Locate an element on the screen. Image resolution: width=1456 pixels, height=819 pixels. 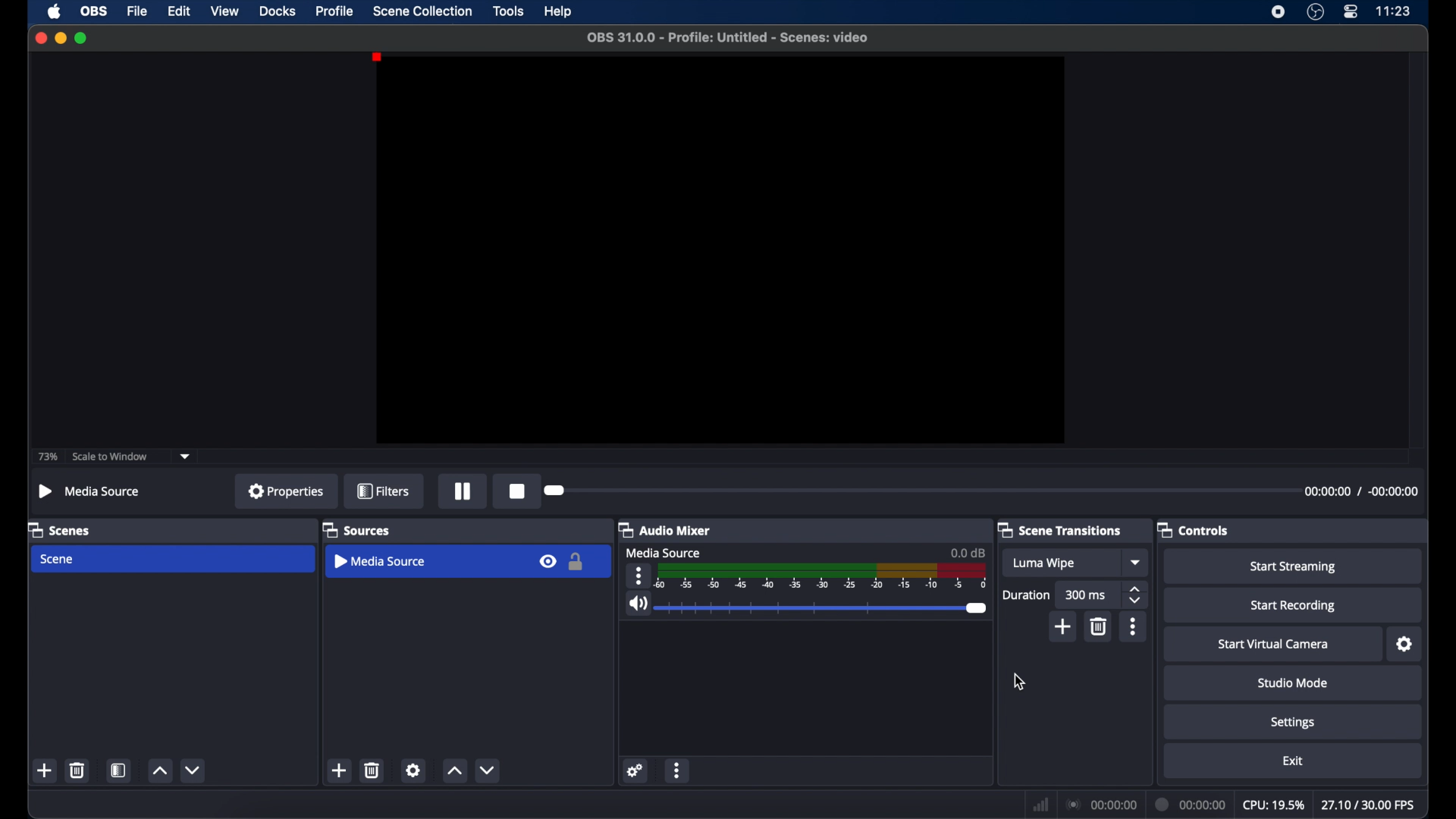
media source is located at coordinates (381, 561).